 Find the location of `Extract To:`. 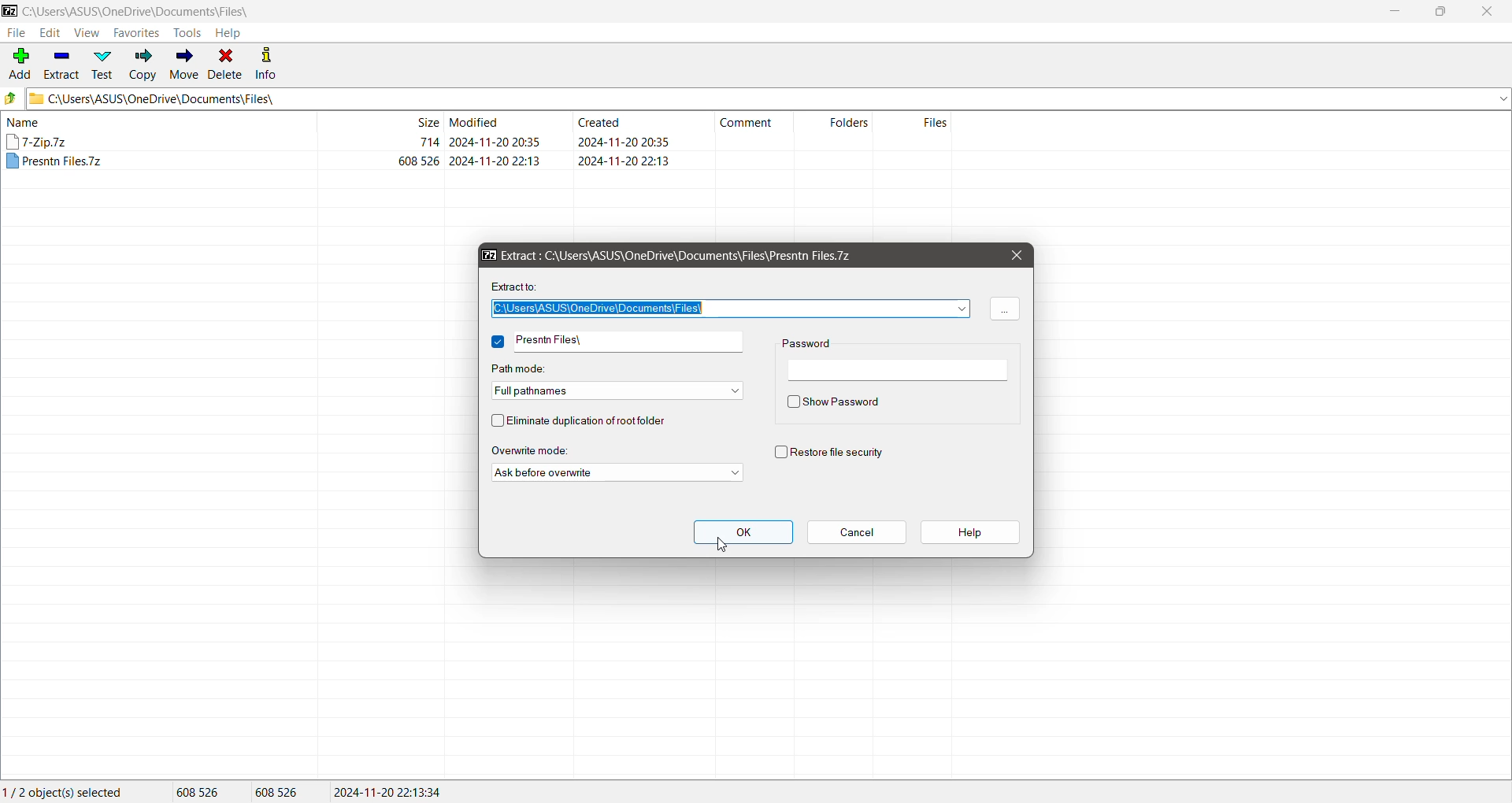

Extract To: is located at coordinates (516, 287).